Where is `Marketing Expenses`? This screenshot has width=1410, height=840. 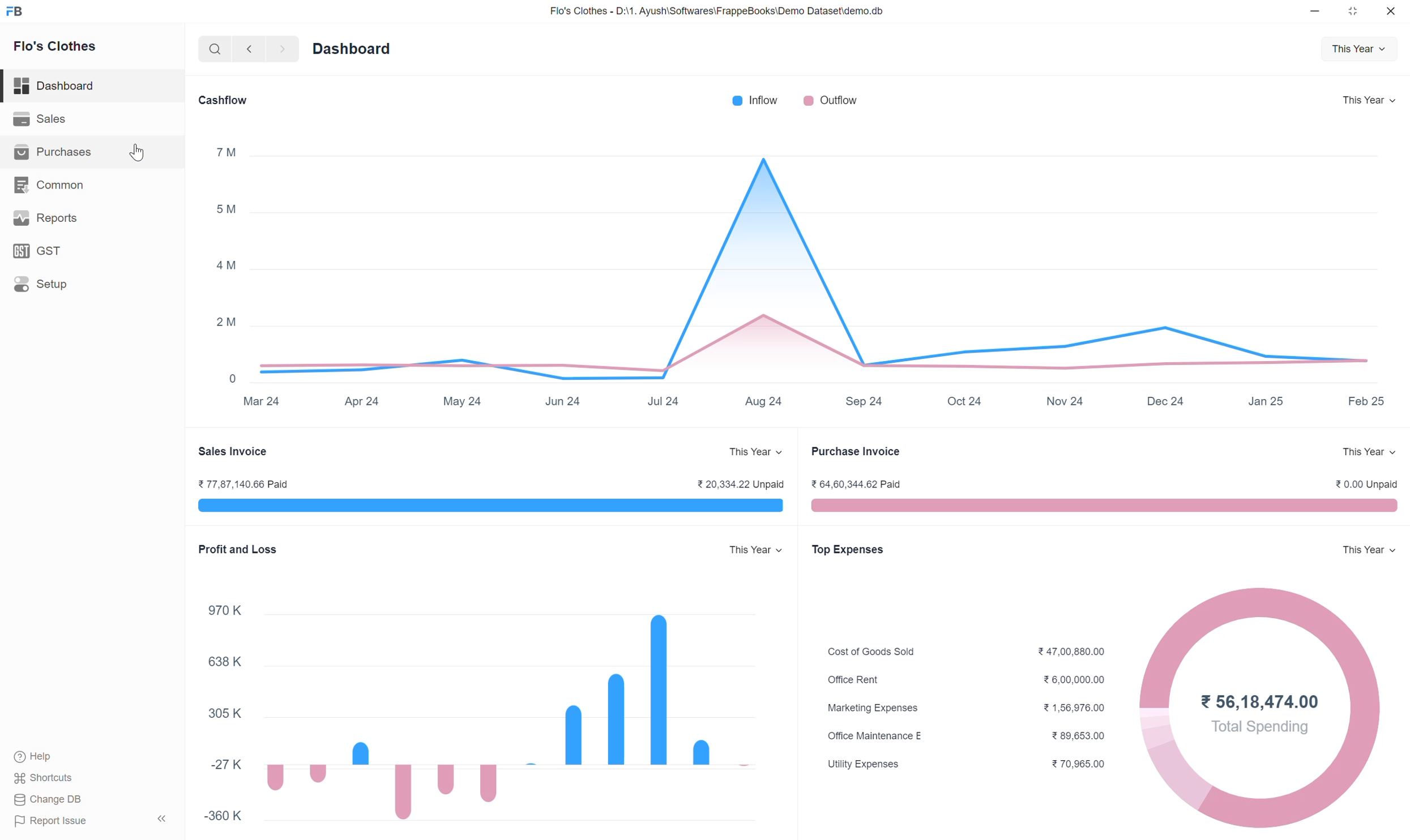 Marketing Expenses is located at coordinates (872, 708).